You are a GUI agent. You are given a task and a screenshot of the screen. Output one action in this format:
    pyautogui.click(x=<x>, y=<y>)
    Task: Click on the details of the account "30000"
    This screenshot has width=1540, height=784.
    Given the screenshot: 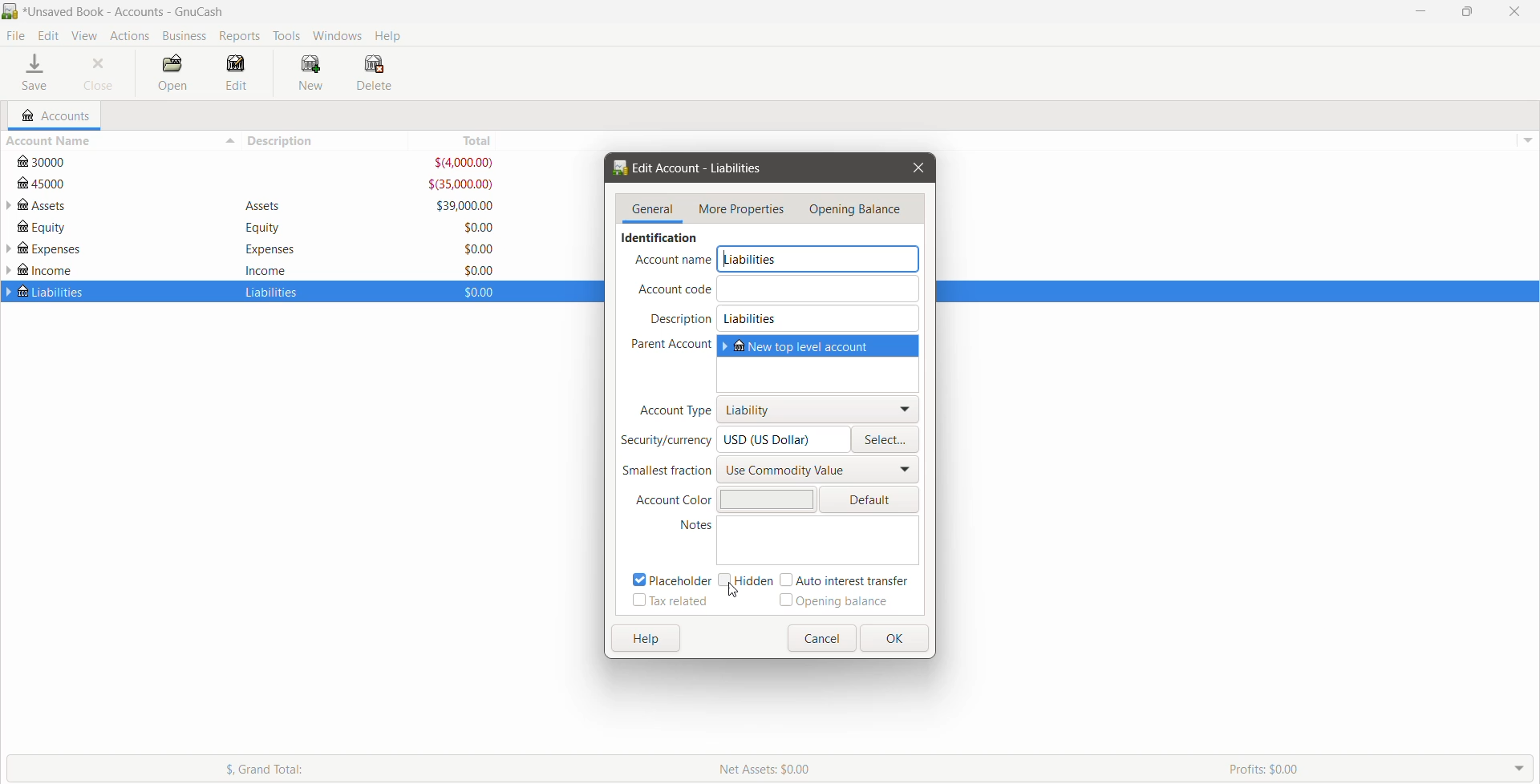 What is the action you would take?
    pyautogui.click(x=258, y=163)
    